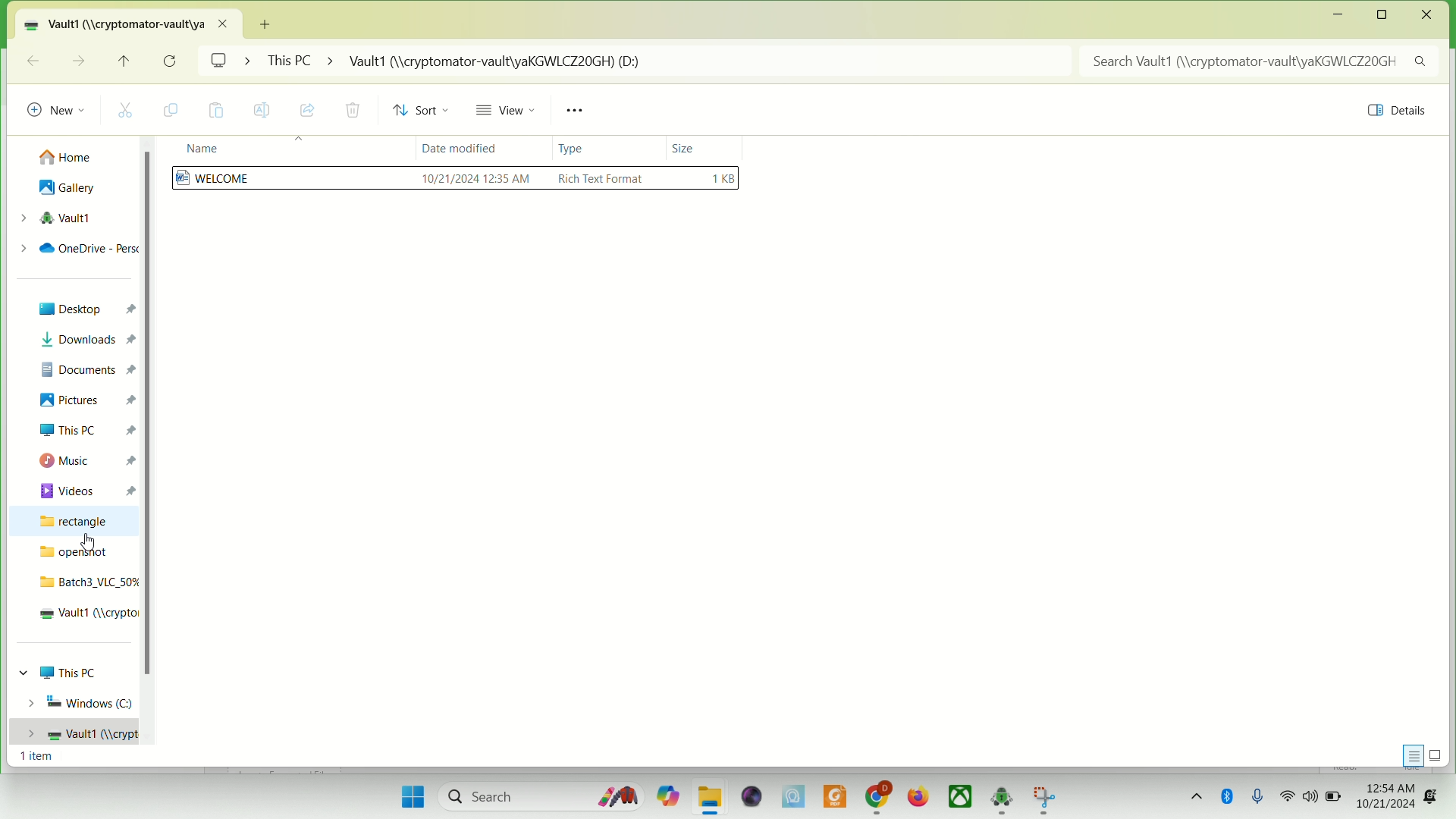 The width and height of the screenshot is (1456, 819). Describe the element at coordinates (425, 111) in the screenshot. I see `sort` at that location.